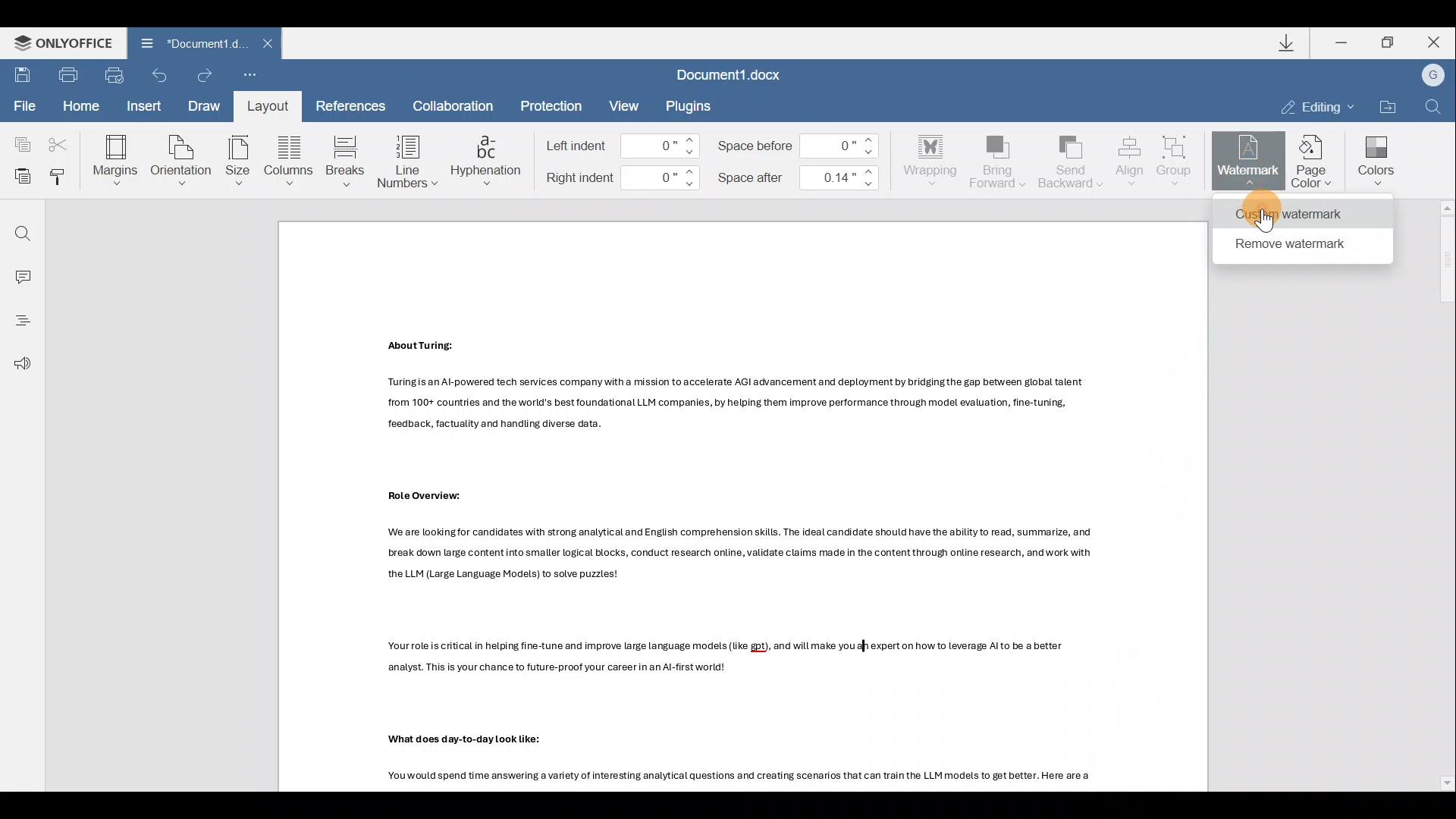  I want to click on Custom watermark, so click(1298, 215).